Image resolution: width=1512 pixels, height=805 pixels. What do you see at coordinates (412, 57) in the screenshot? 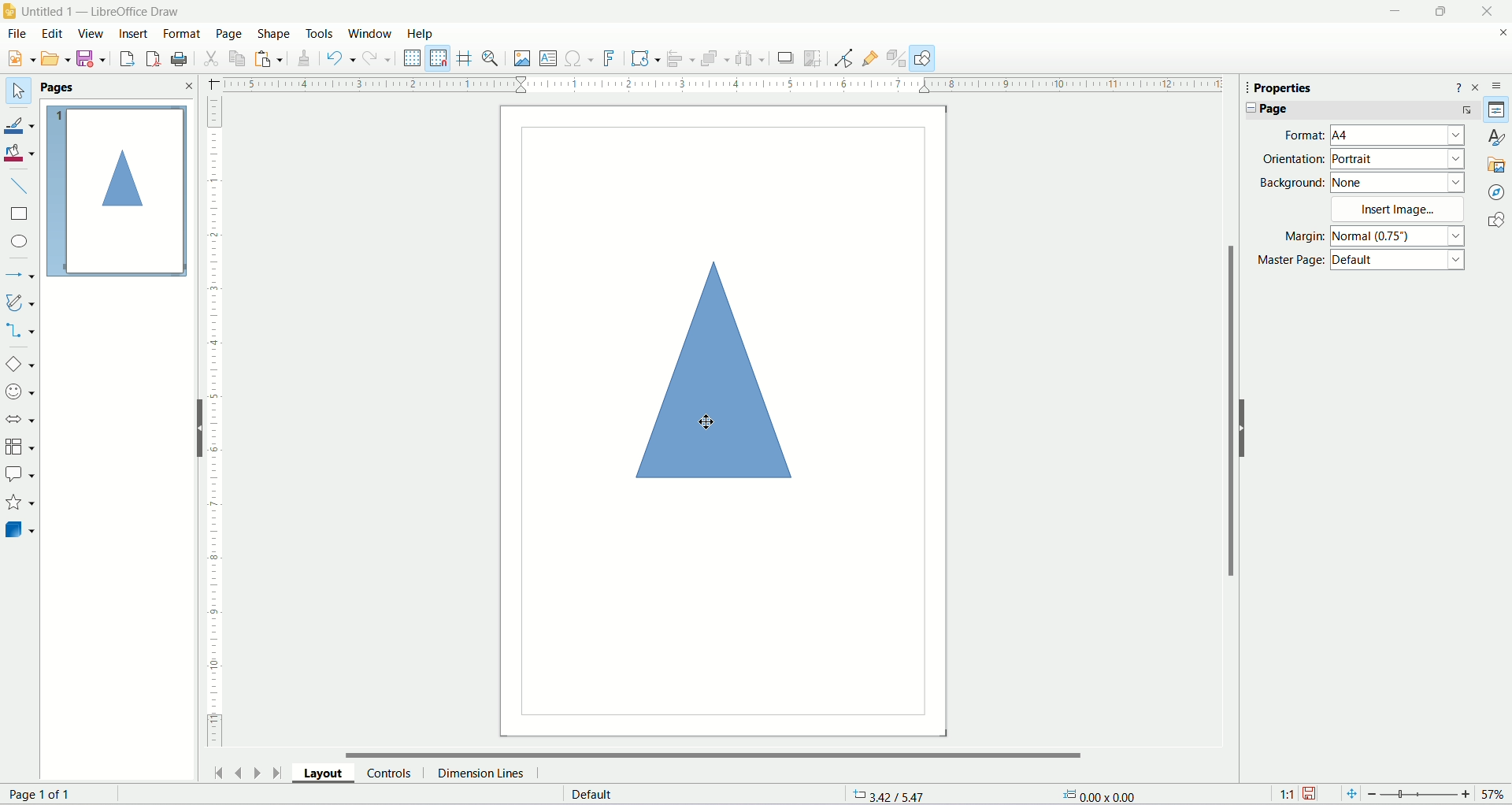
I see `Display Grid` at bounding box center [412, 57].